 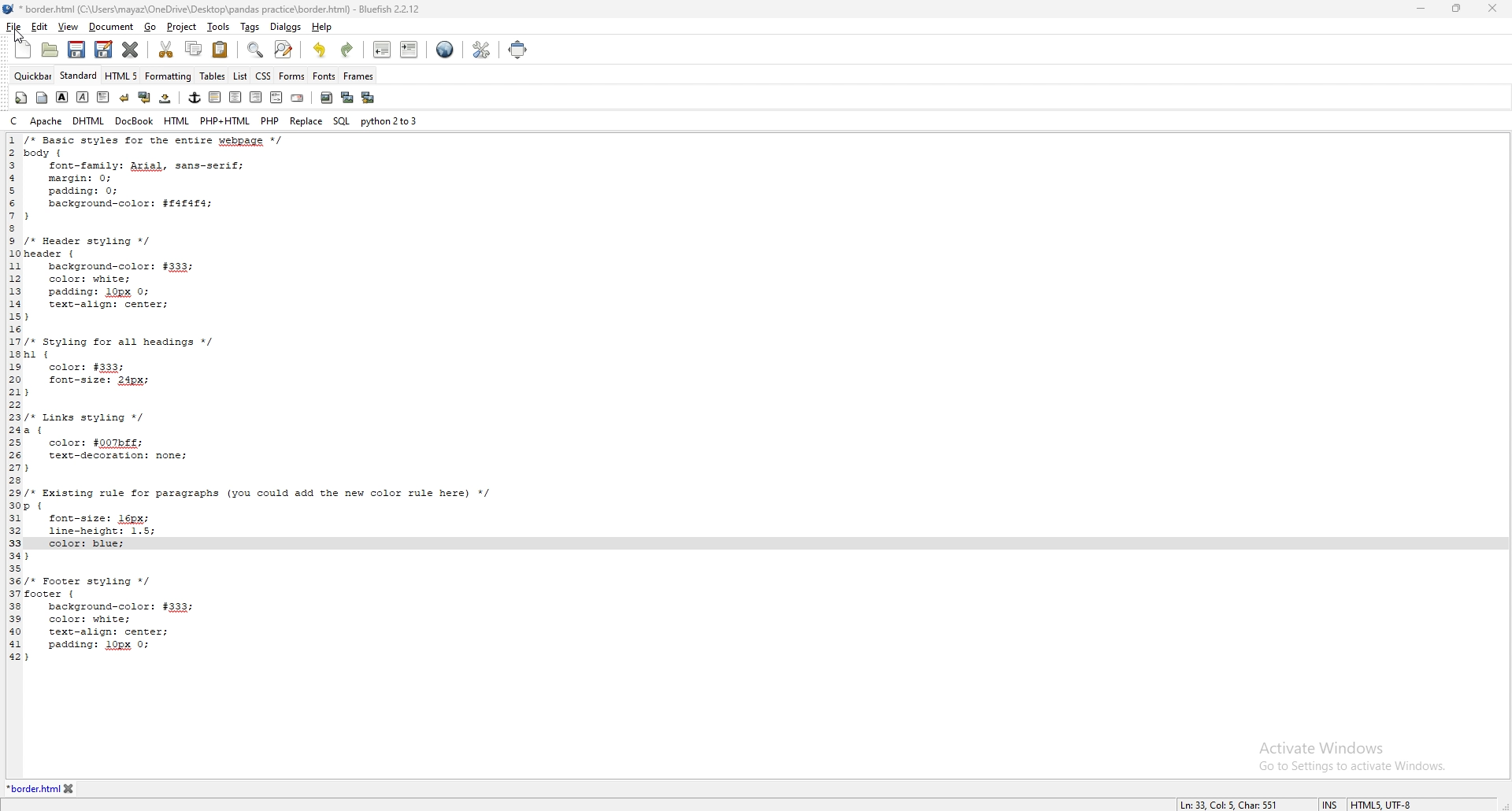 I want to click on right justify, so click(x=257, y=98).